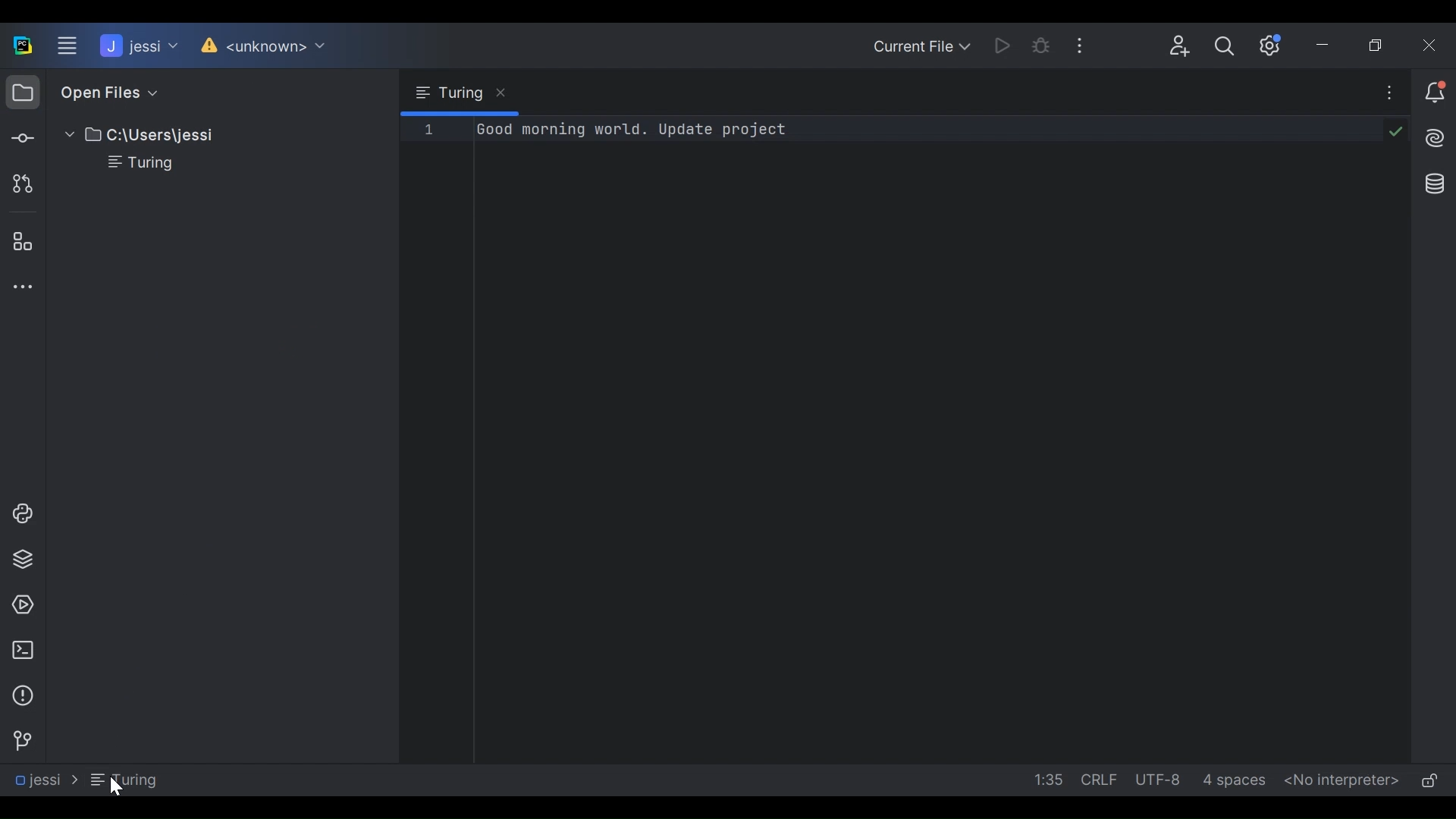 The height and width of the screenshot is (819, 1456). What do you see at coordinates (137, 46) in the screenshot?
I see `Project Name` at bounding box center [137, 46].